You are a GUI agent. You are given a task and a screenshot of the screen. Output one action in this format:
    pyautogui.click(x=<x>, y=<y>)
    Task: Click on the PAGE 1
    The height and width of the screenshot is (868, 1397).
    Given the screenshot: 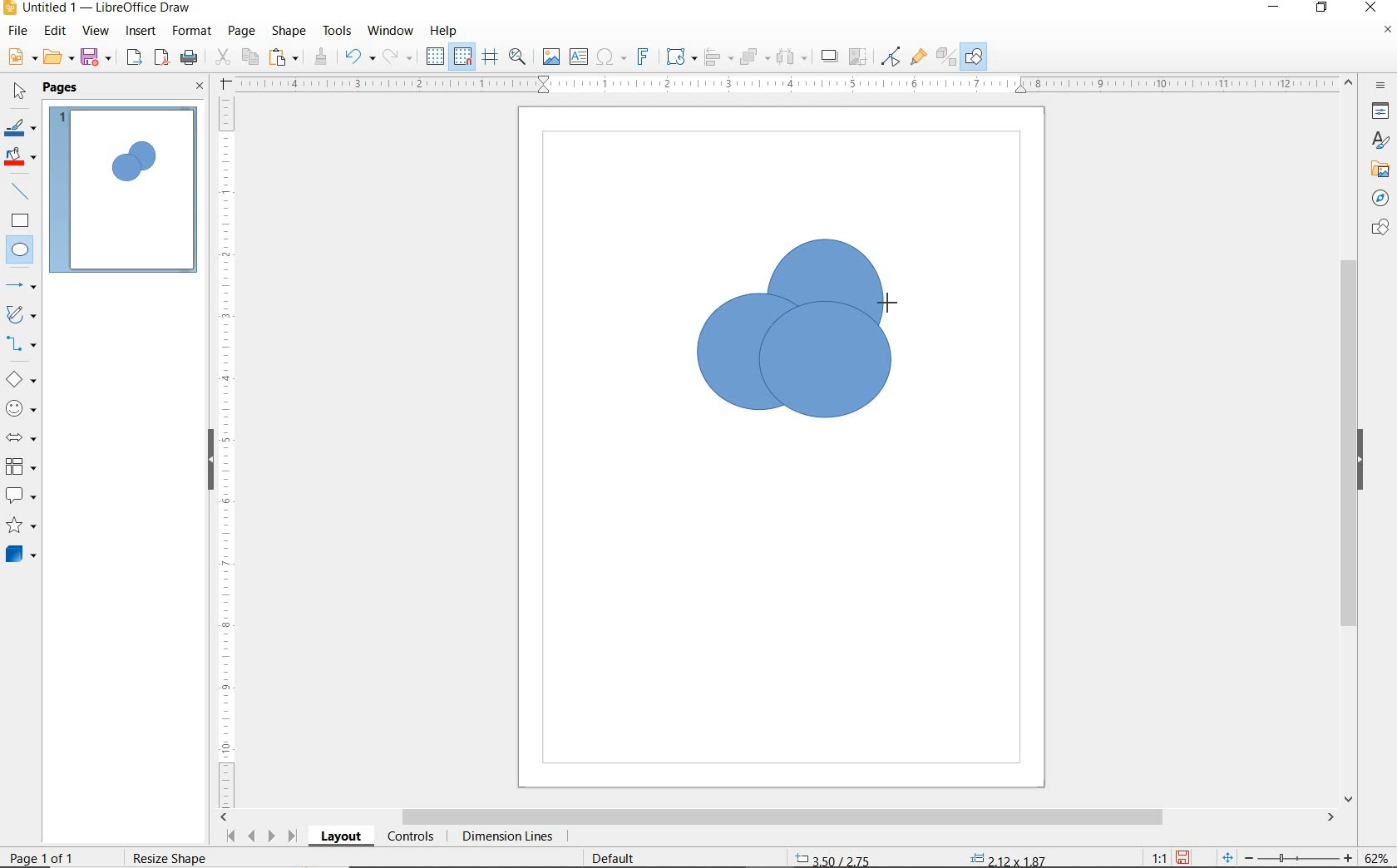 What is the action you would take?
    pyautogui.click(x=124, y=195)
    